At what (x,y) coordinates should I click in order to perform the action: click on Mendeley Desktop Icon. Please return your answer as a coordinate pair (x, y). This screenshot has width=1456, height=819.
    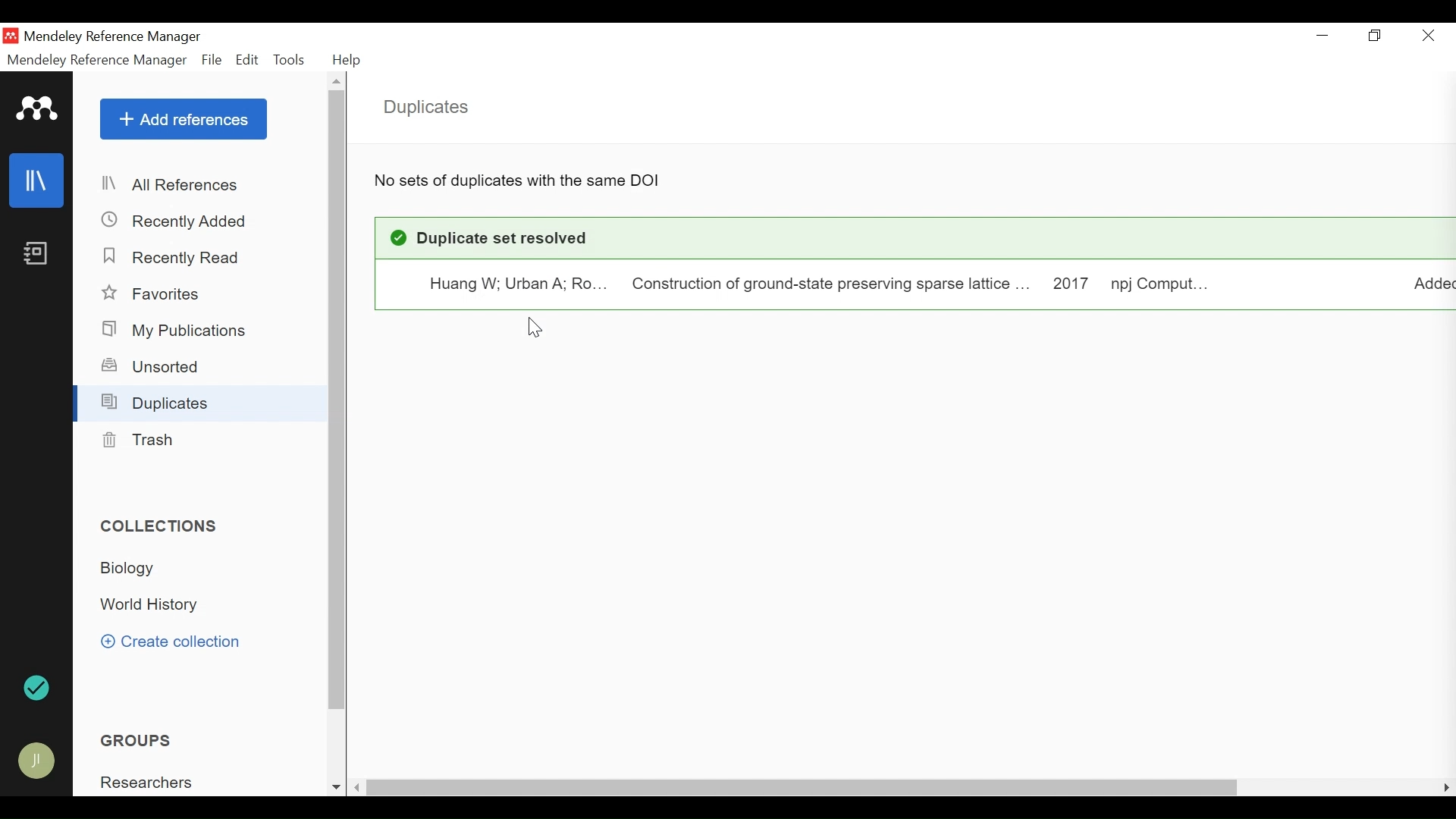
    Looking at the image, I should click on (11, 35).